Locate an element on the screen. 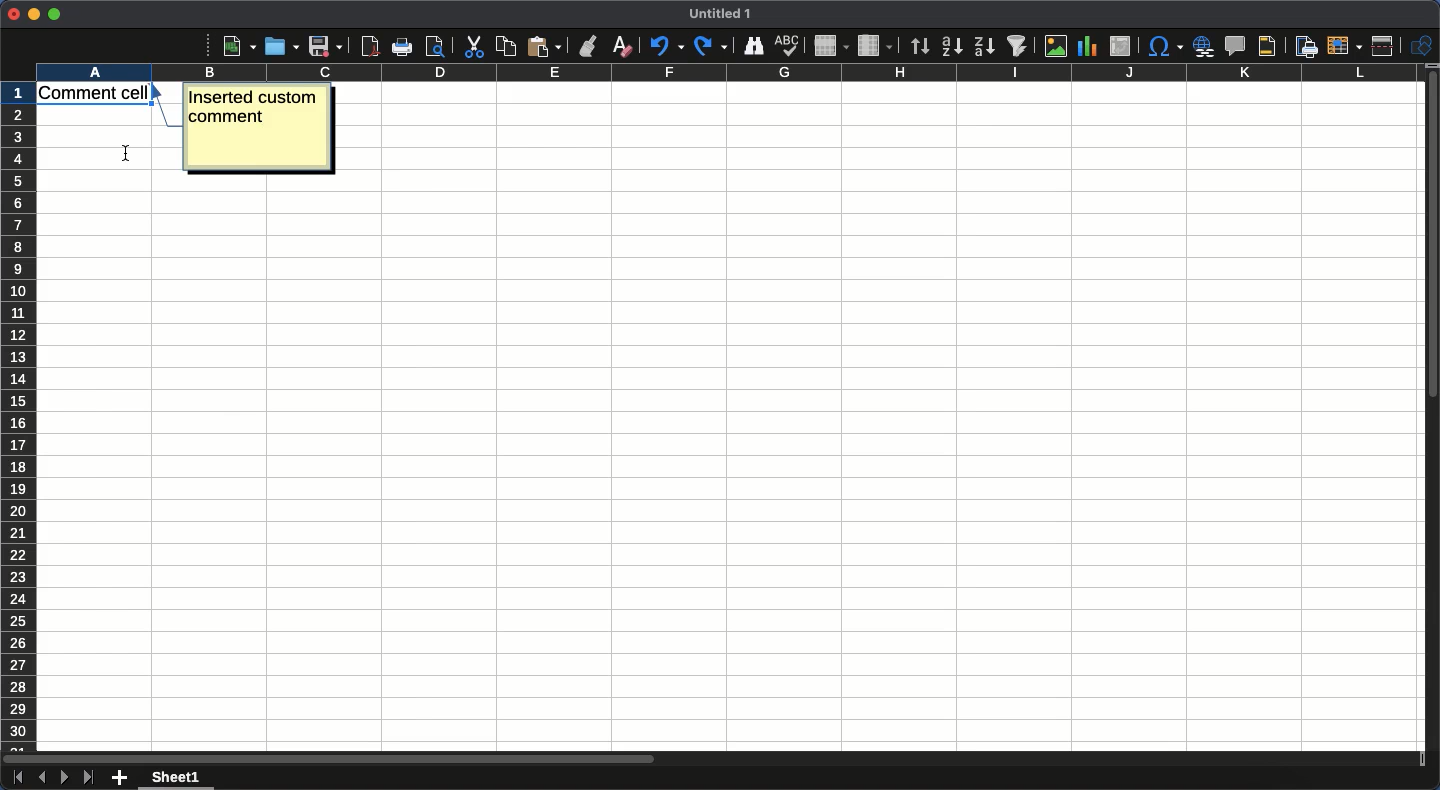  Column is located at coordinates (877, 45).